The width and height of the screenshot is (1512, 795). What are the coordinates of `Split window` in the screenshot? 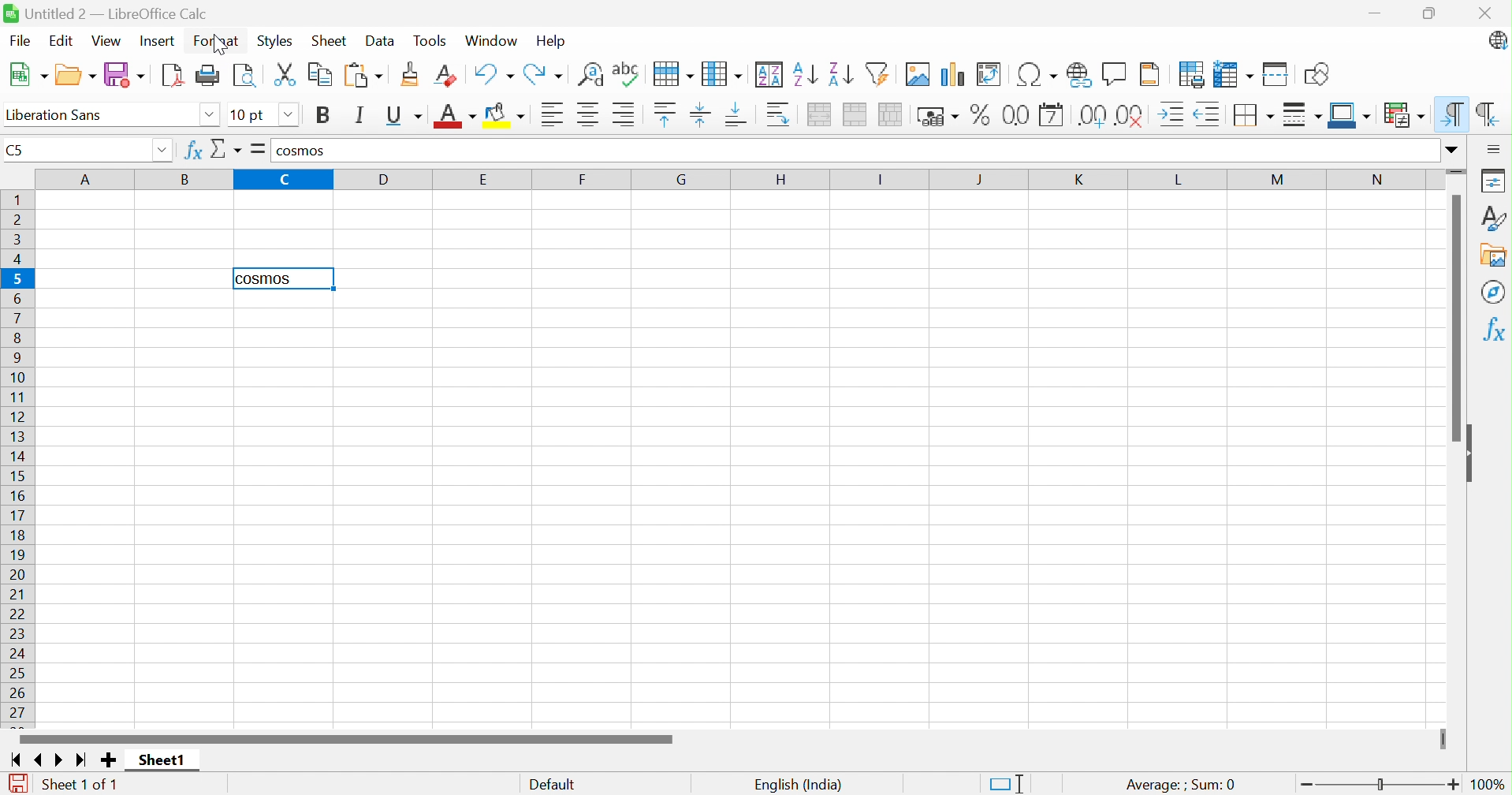 It's located at (1276, 75).